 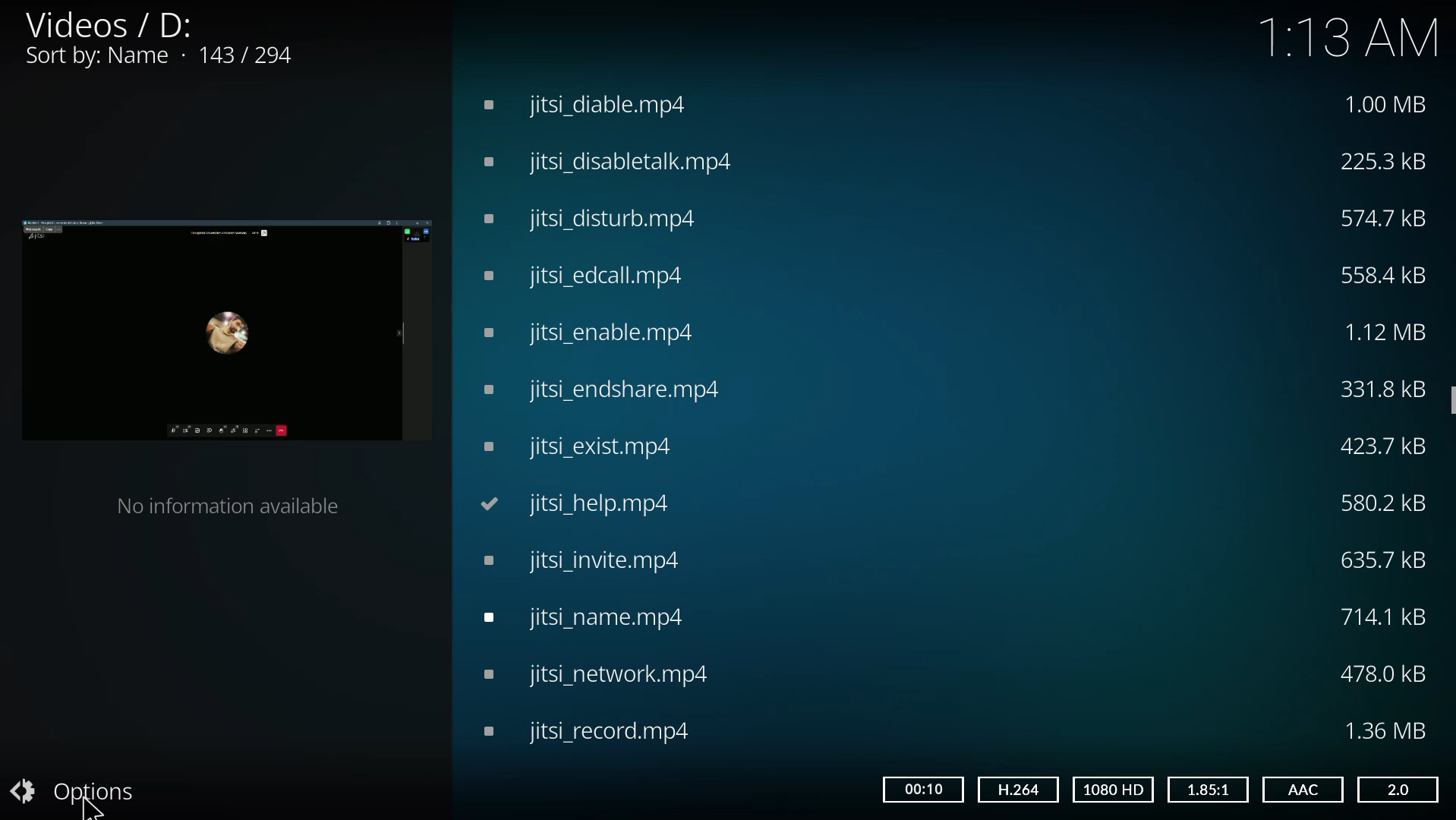 I want to click on video, so click(x=614, y=159).